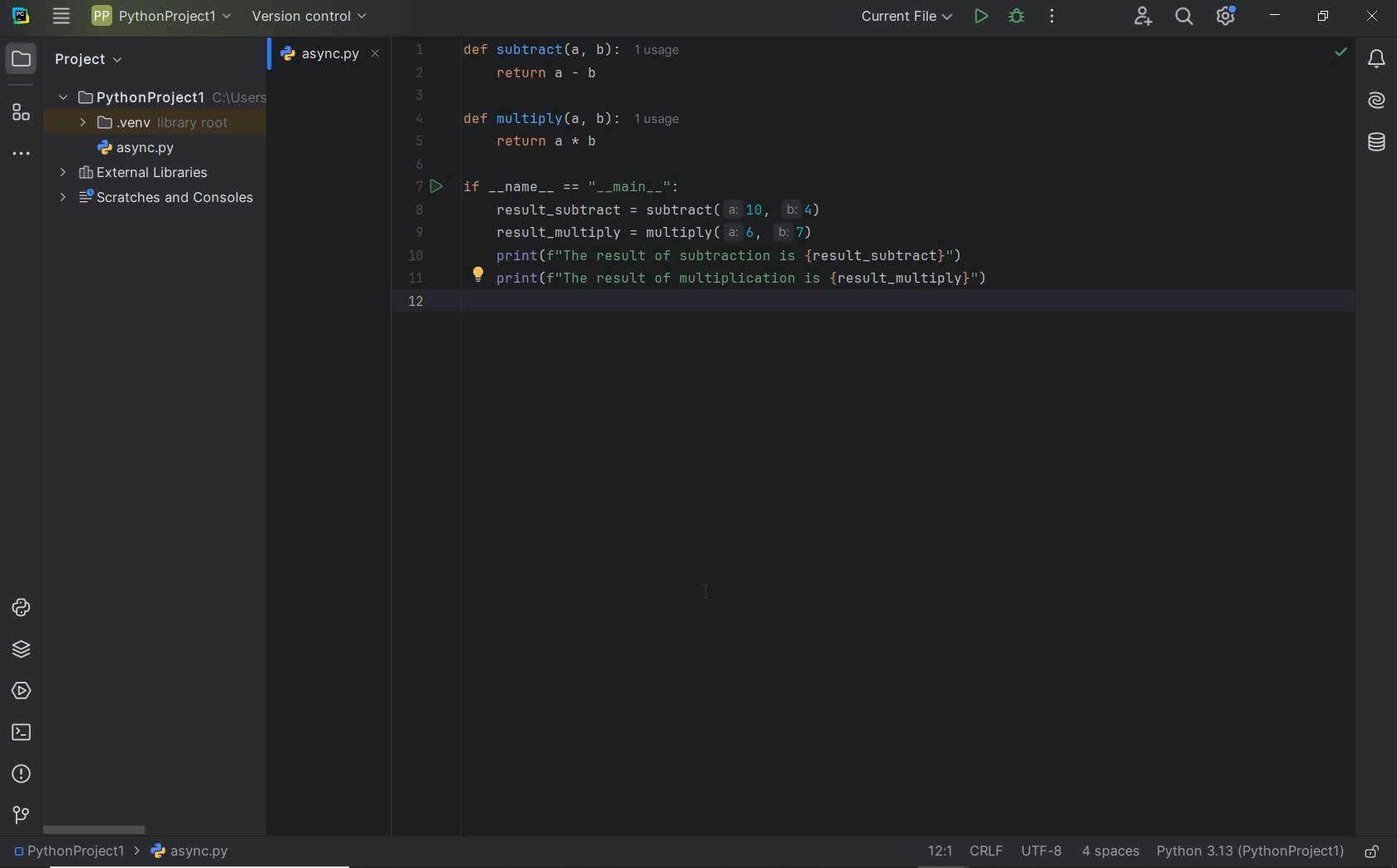 The width and height of the screenshot is (1397, 868). What do you see at coordinates (134, 172) in the screenshot?
I see `External Libraries` at bounding box center [134, 172].